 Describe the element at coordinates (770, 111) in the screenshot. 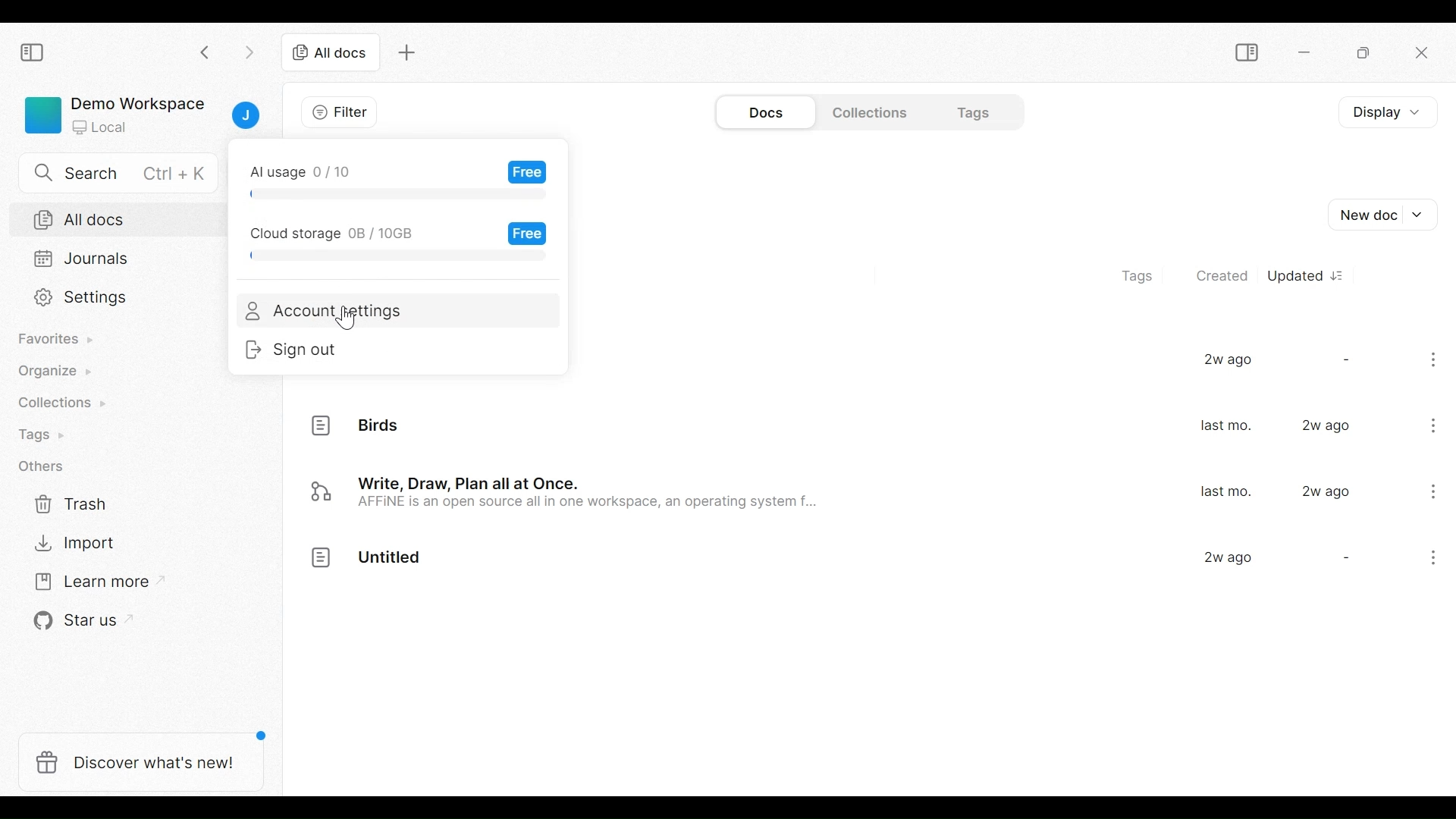

I see `Documents` at that location.